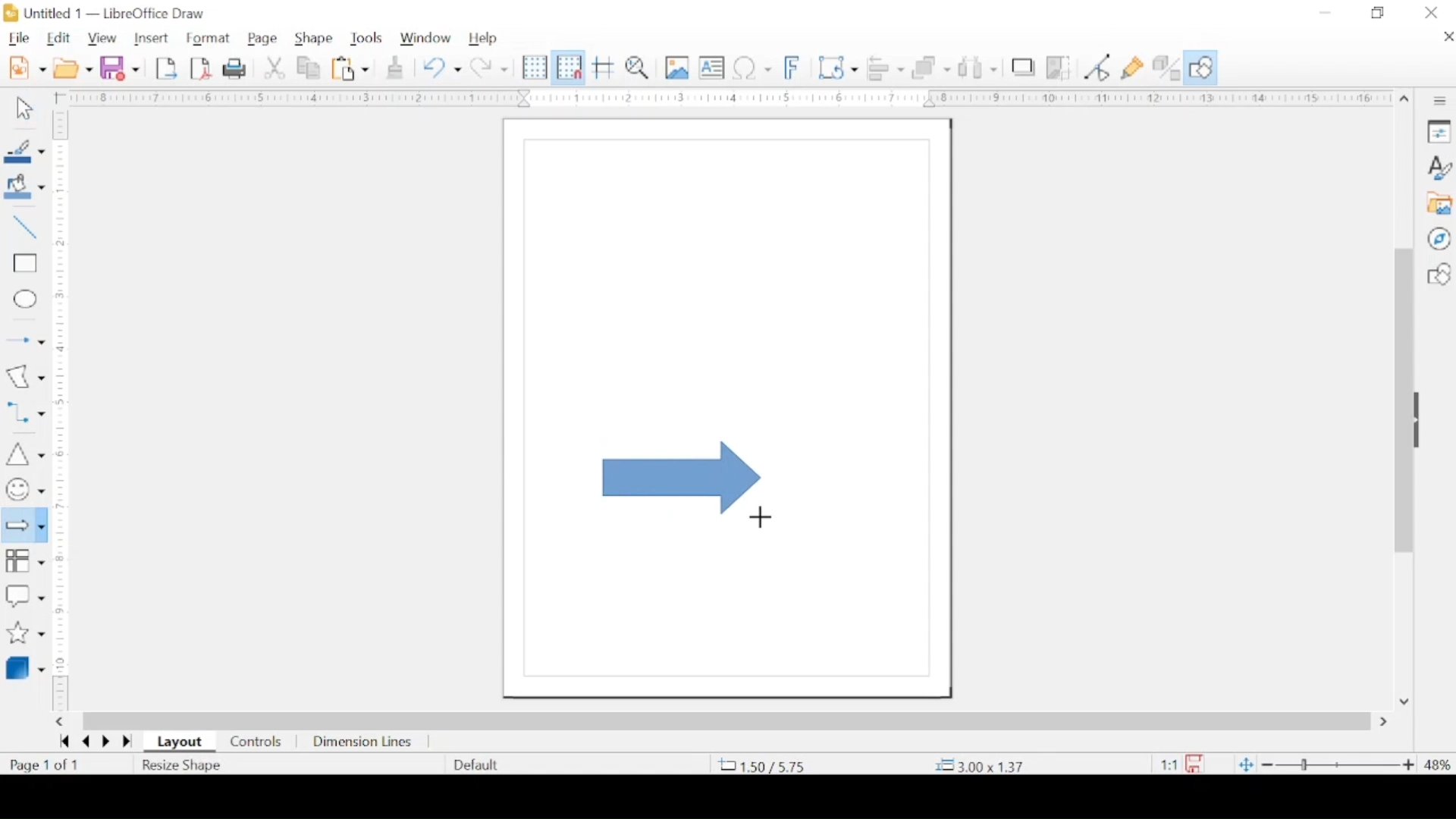  I want to click on properties, so click(1439, 130).